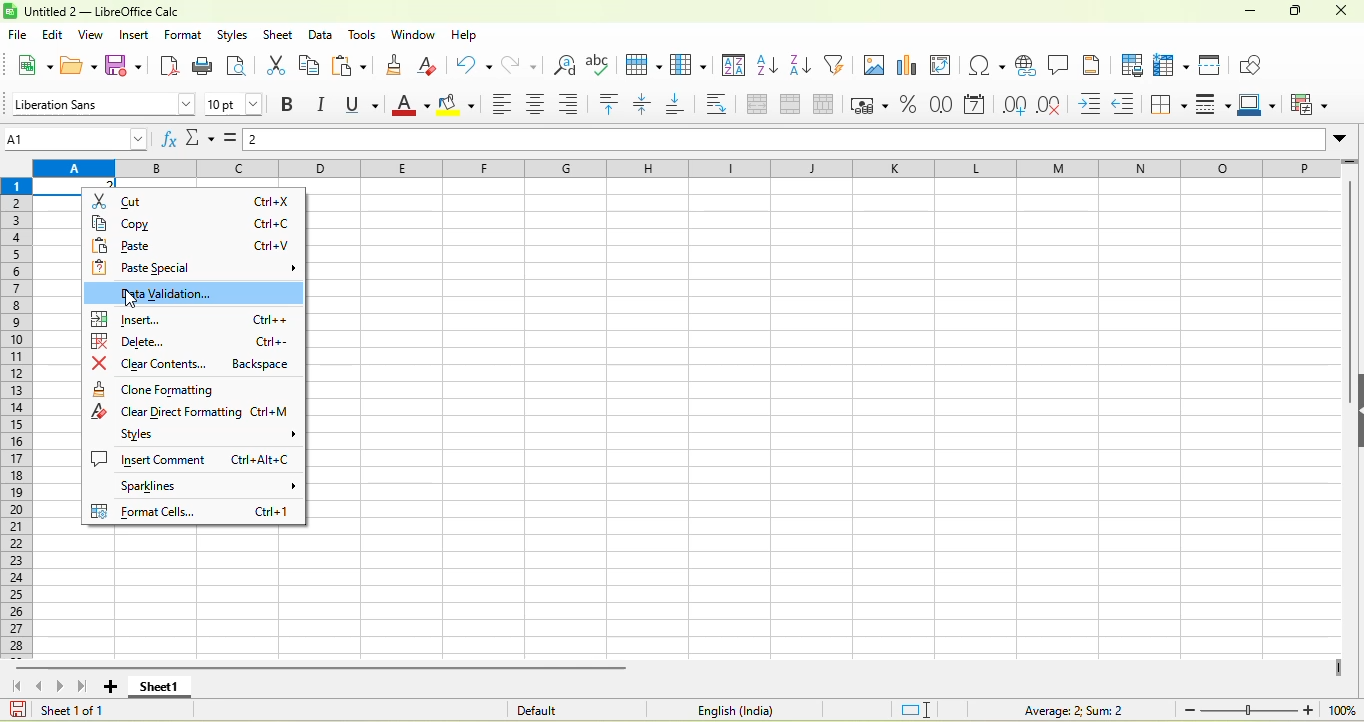  Describe the element at coordinates (23, 65) in the screenshot. I see `new` at that location.